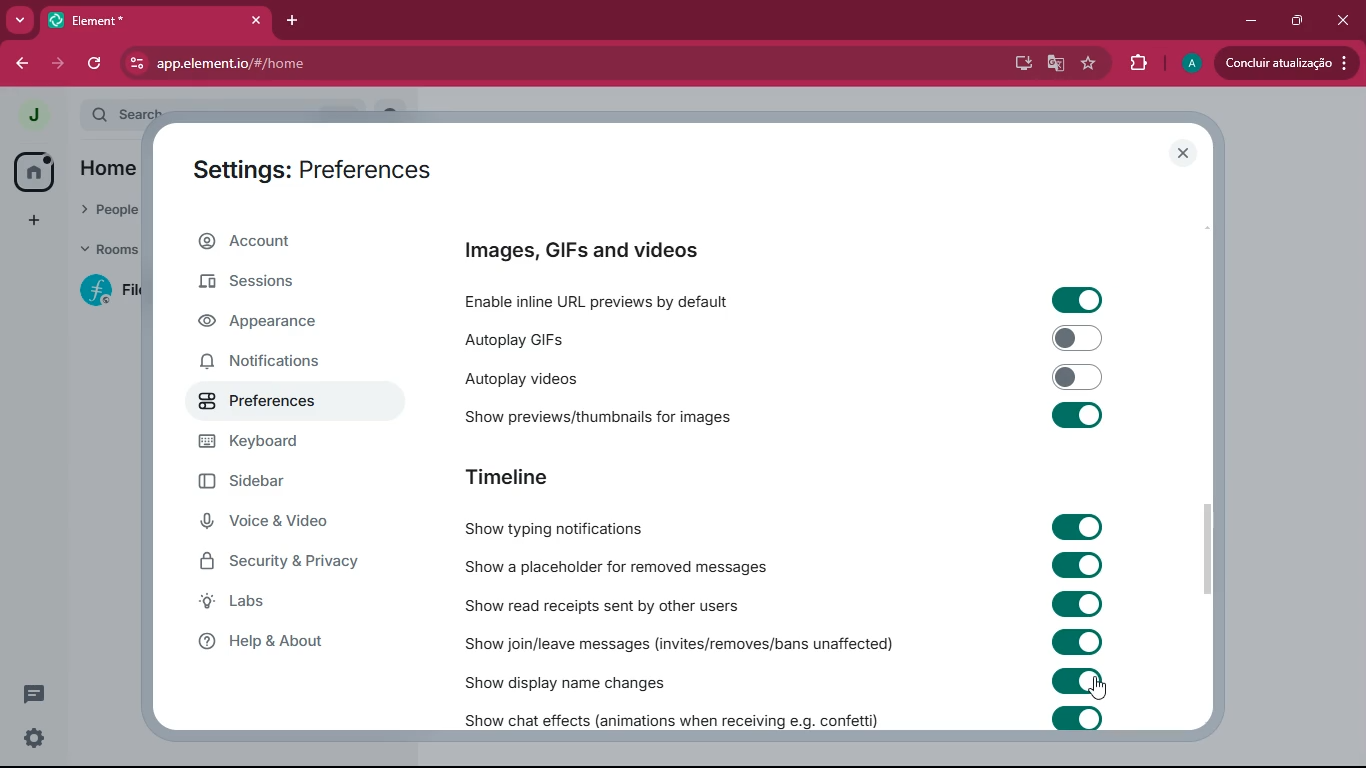  Describe the element at coordinates (1079, 680) in the screenshot. I see `toggle on/off` at that location.